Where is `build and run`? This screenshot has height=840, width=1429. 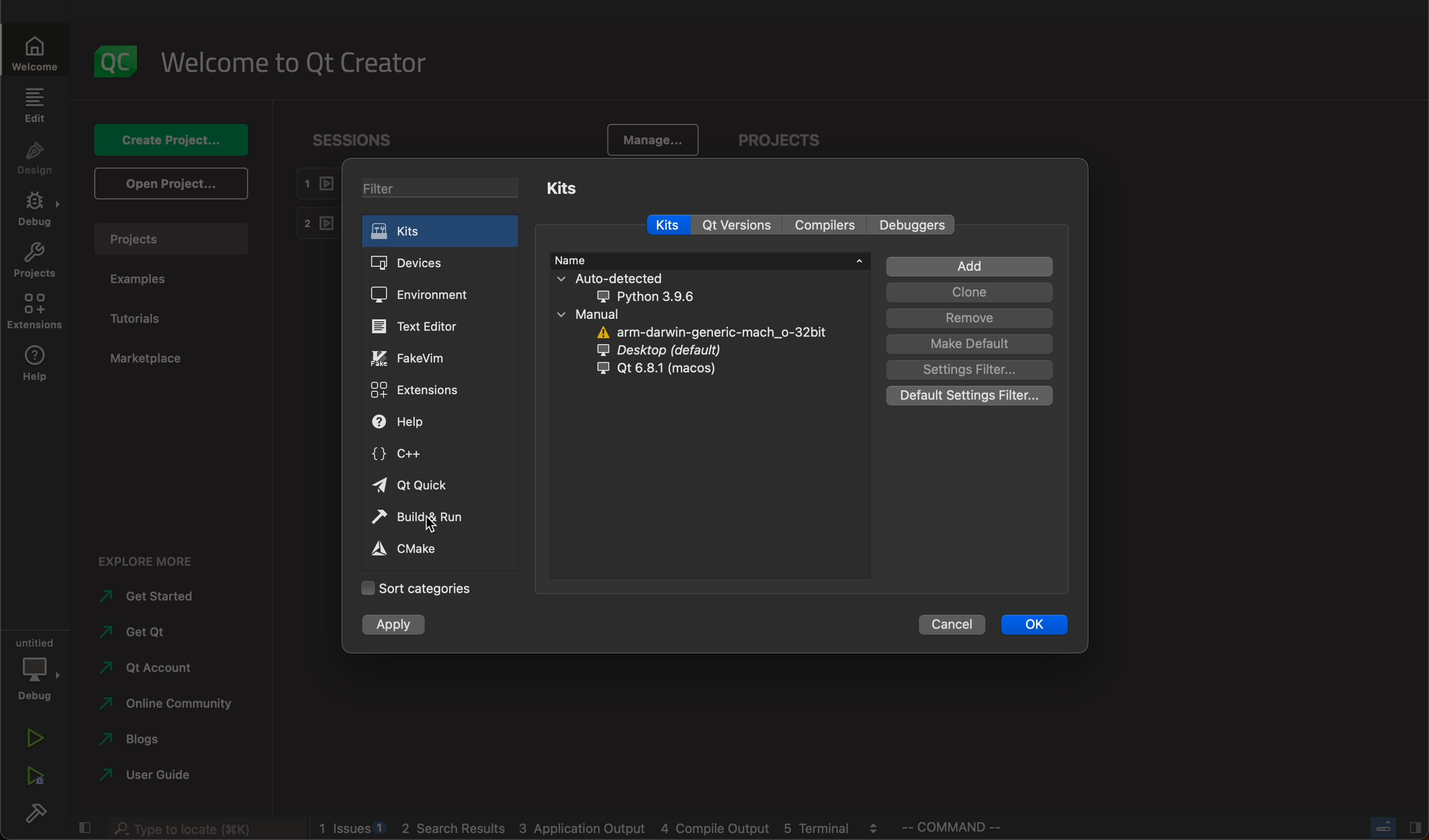 build and run is located at coordinates (422, 515).